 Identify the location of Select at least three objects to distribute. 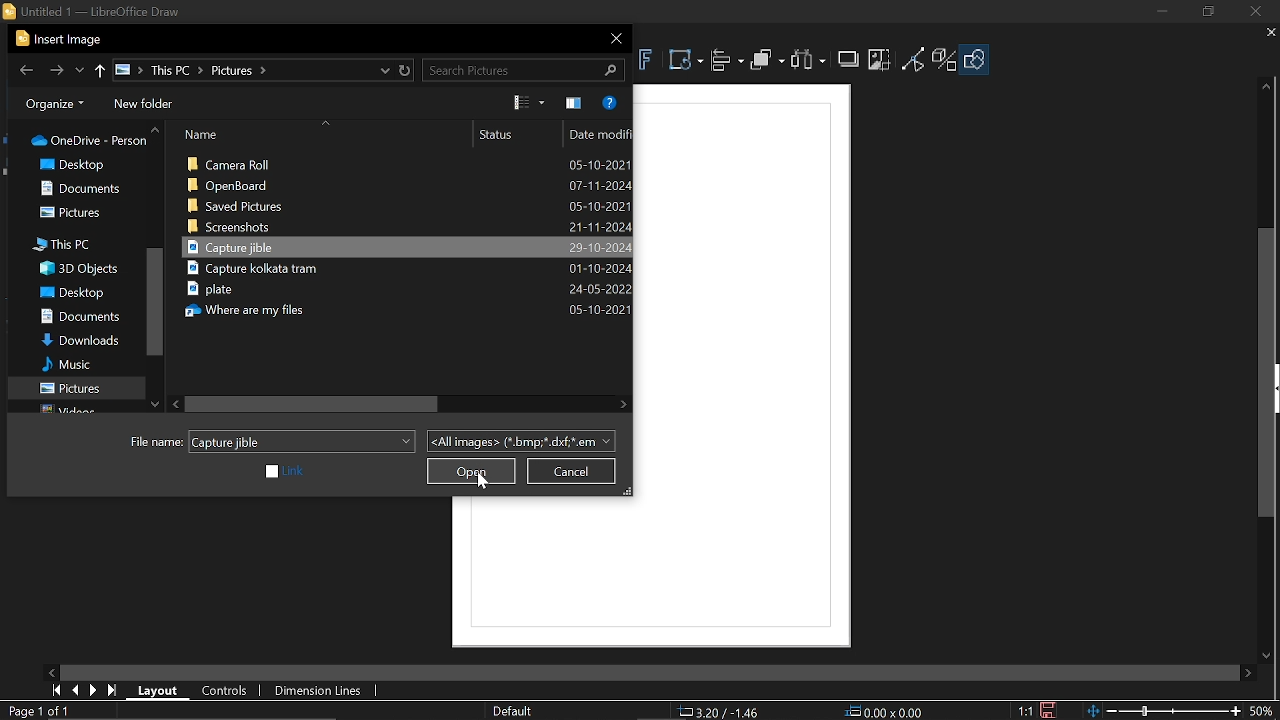
(811, 62).